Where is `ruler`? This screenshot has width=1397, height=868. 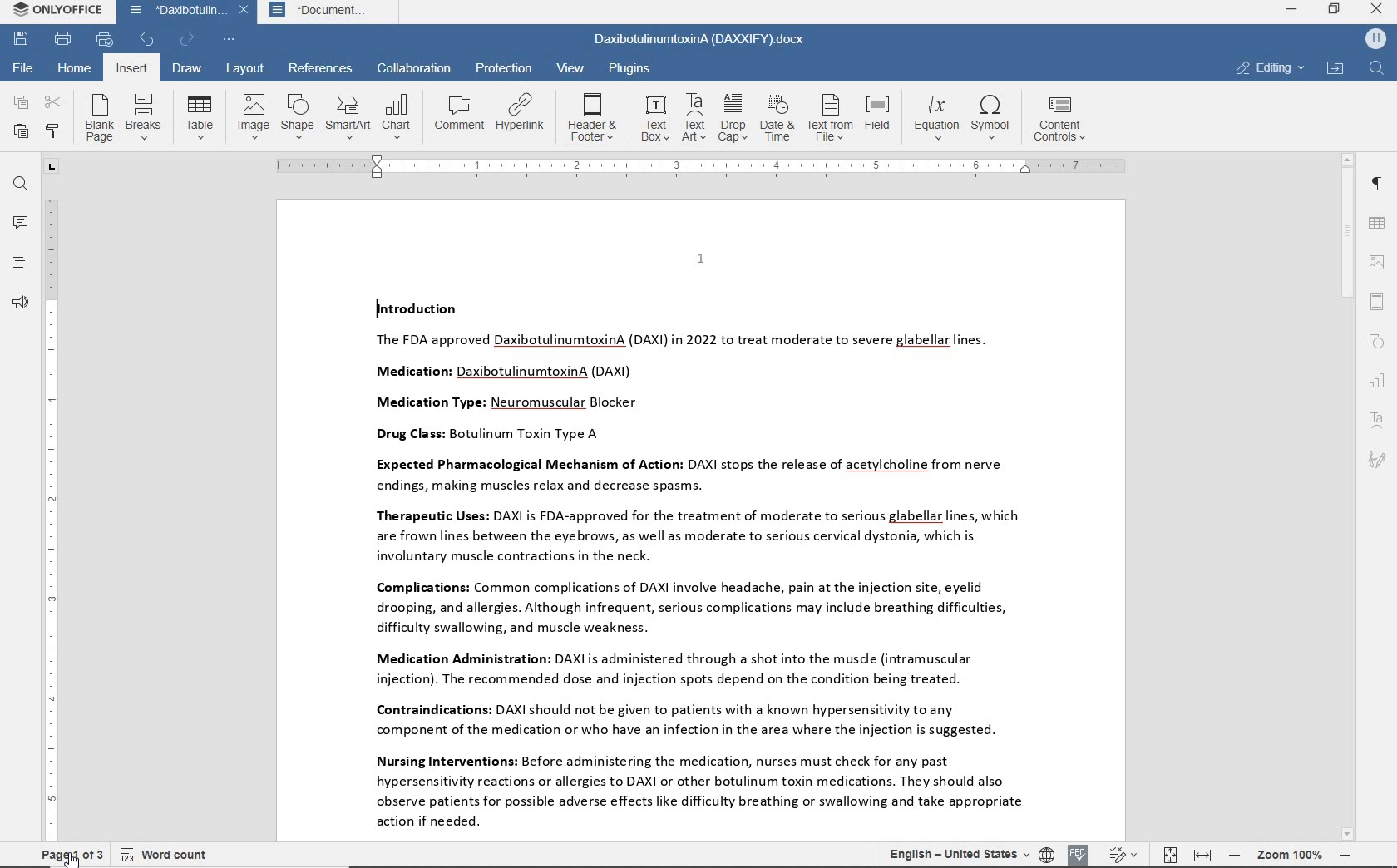 ruler is located at coordinates (701, 165).